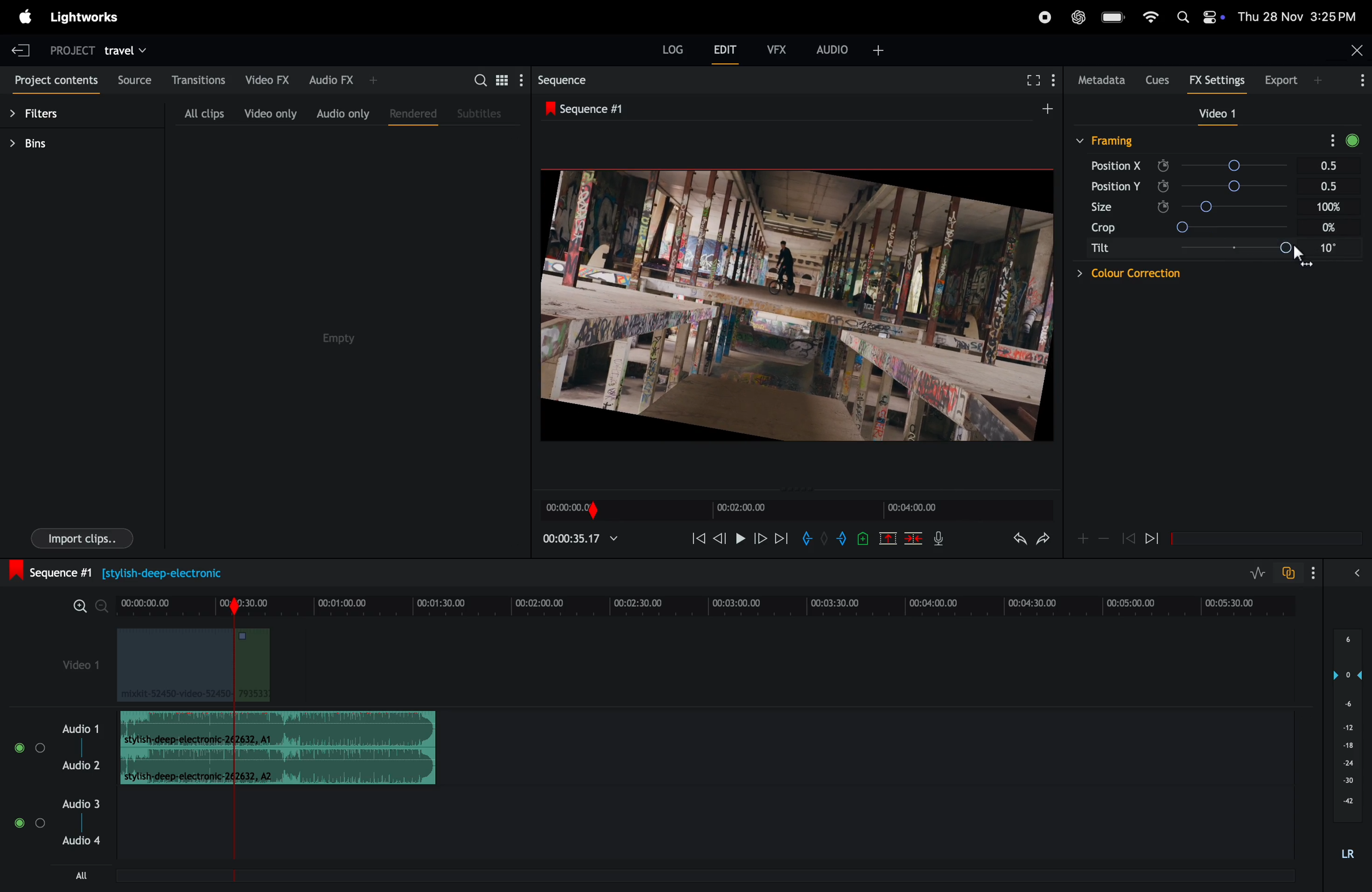  Describe the element at coordinates (70, 662) in the screenshot. I see `video 1` at that location.